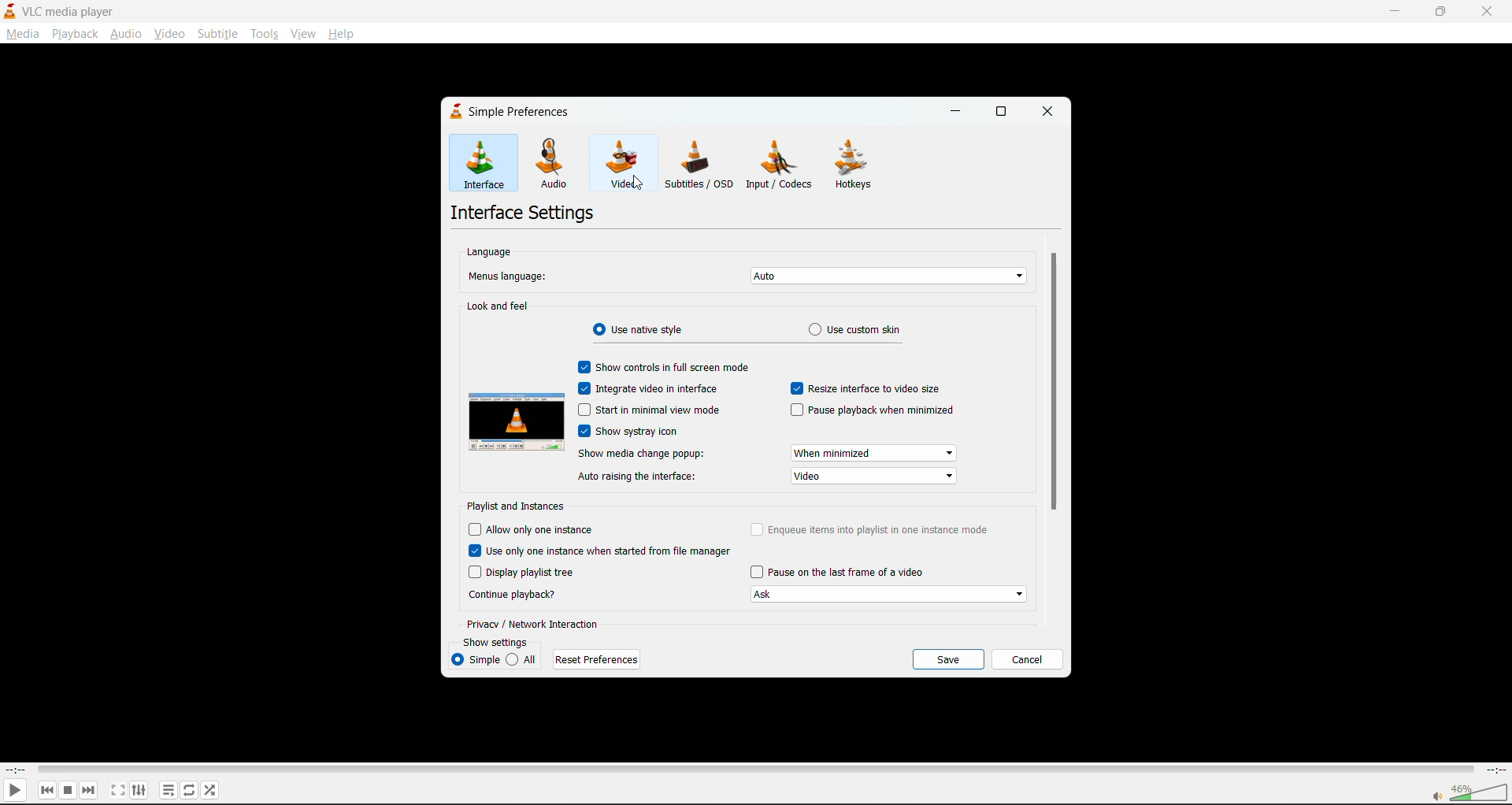  What do you see at coordinates (533, 528) in the screenshot?
I see `allow only one instance` at bounding box center [533, 528].